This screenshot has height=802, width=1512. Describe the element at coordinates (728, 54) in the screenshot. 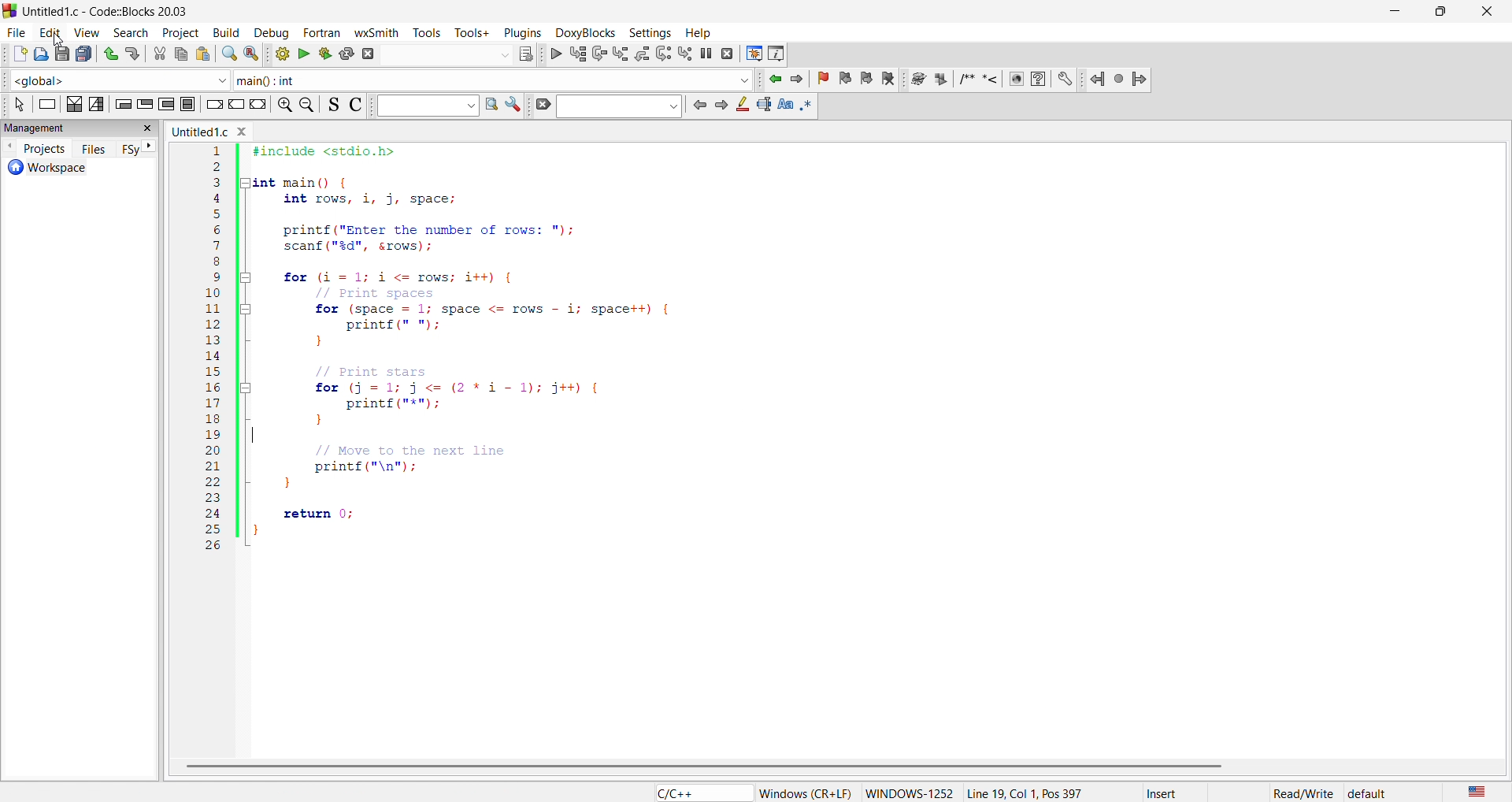

I see `stop debugging` at that location.